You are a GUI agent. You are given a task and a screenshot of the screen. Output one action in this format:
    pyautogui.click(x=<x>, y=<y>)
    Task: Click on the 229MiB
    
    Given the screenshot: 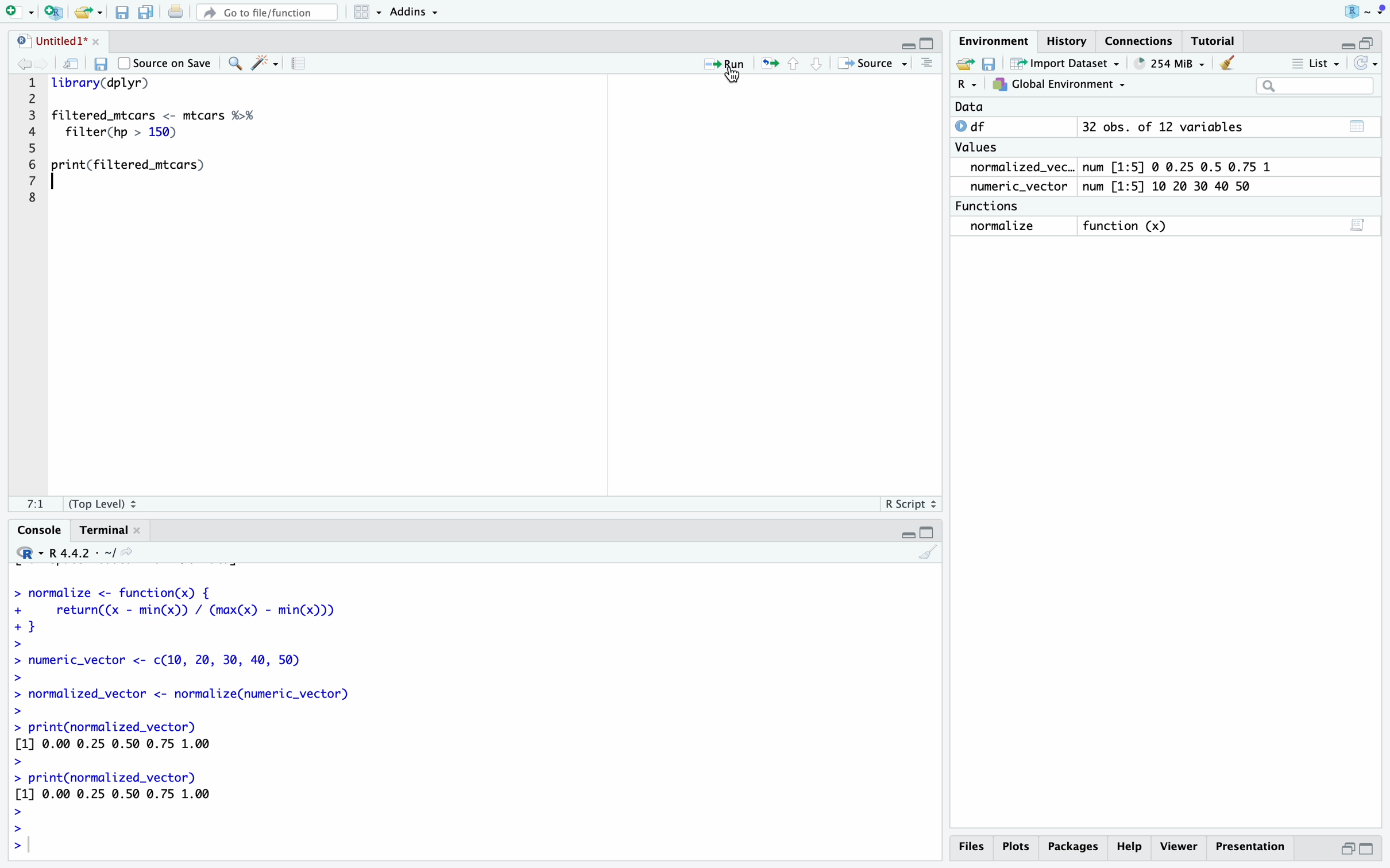 What is the action you would take?
    pyautogui.click(x=1167, y=63)
    